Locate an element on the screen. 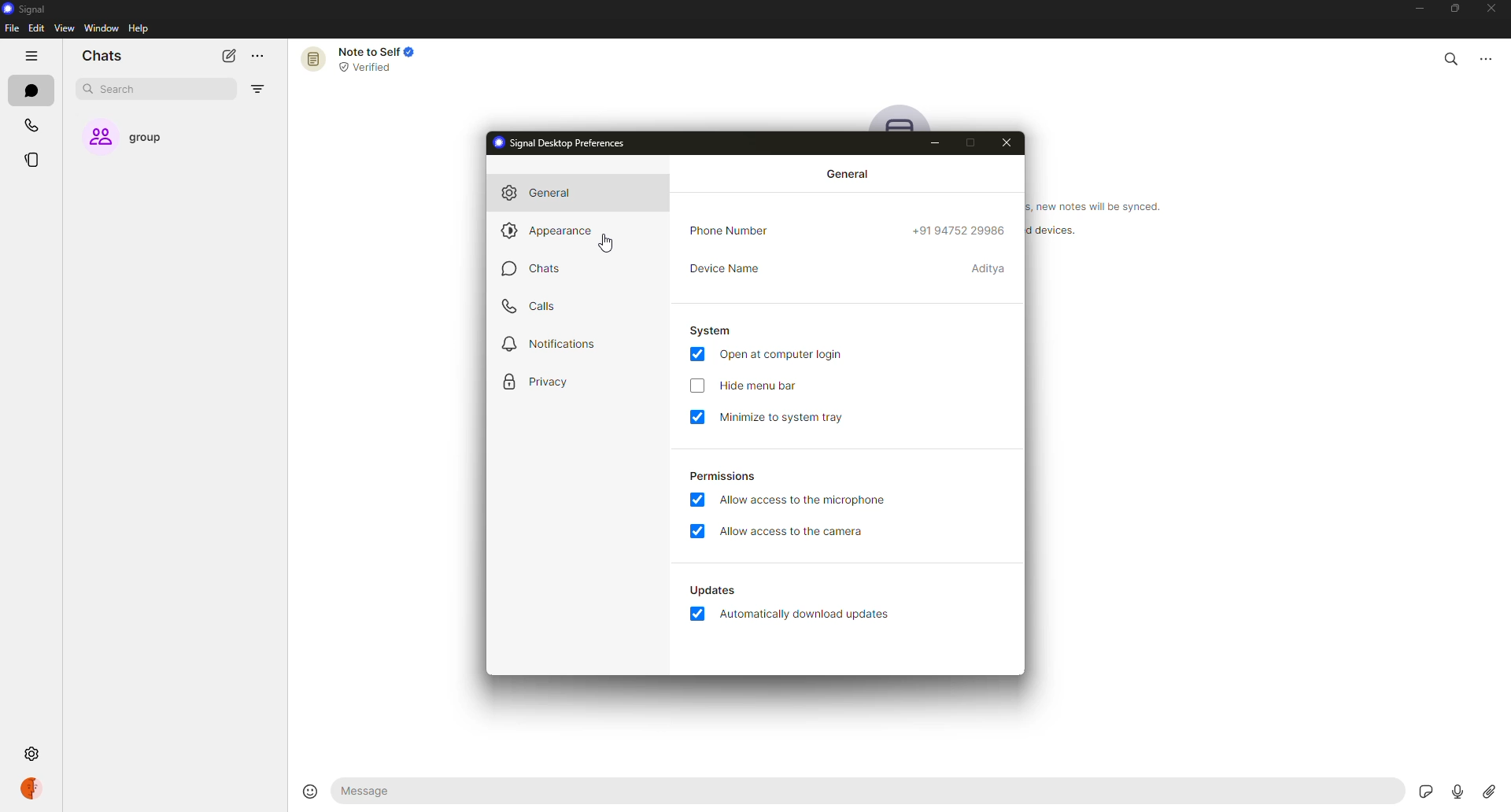  hide menu bar is located at coordinates (758, 387).